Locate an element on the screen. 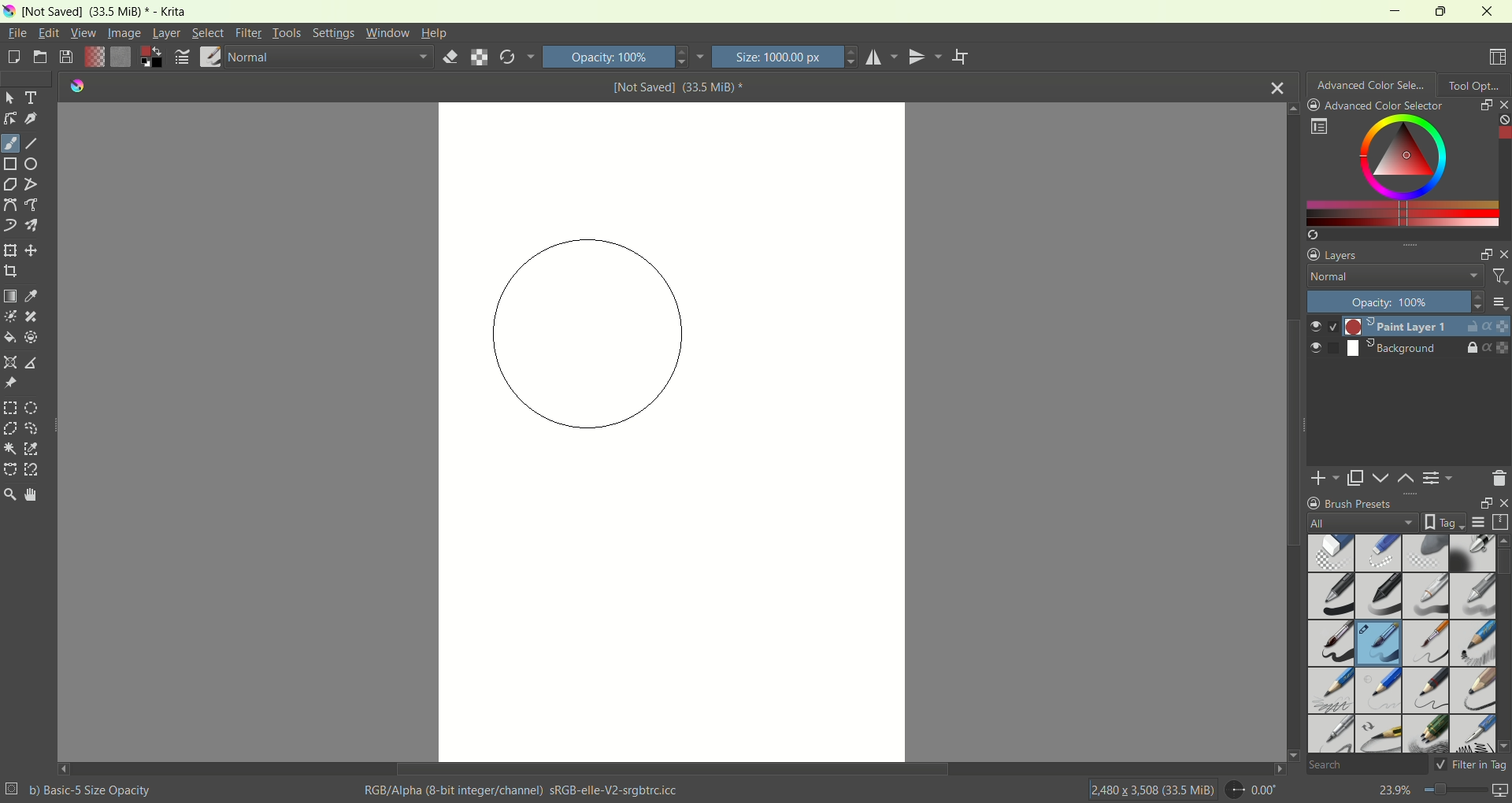  window is located at coordinates (387, 33).